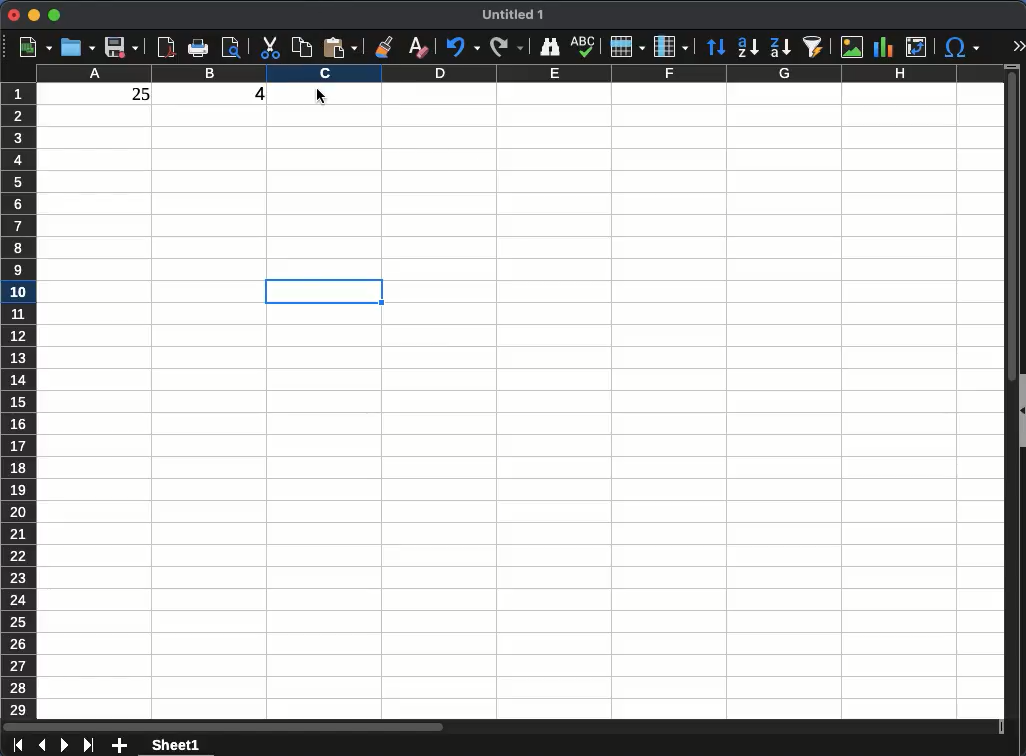 The image size is (1026, 756). What do you see at coordinates (121, 745) in the screenshot?
I see `add sheet` at bounding box center [121, 745].